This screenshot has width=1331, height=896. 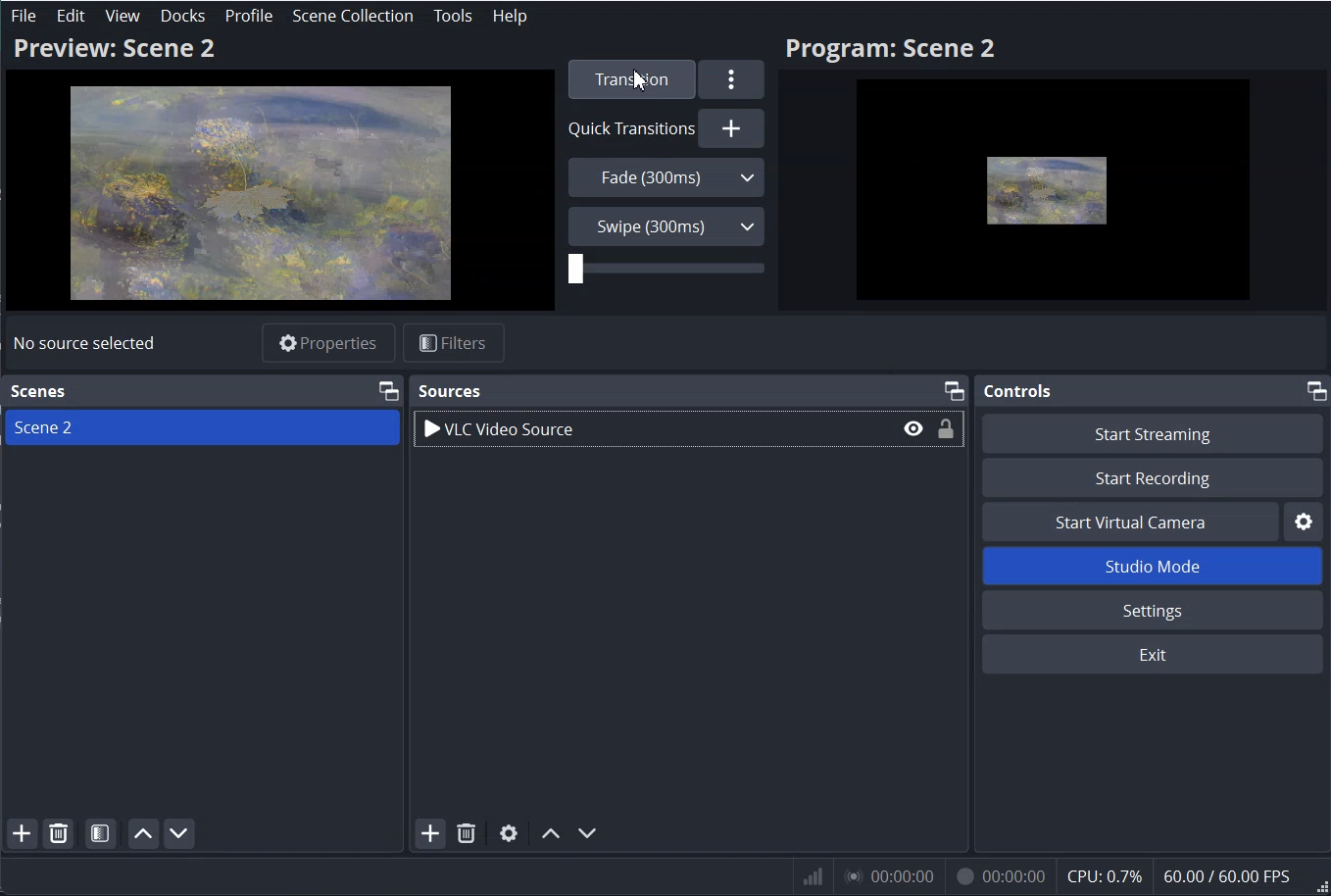 I want to click on Scene Collection, so click(x=352, y=16).